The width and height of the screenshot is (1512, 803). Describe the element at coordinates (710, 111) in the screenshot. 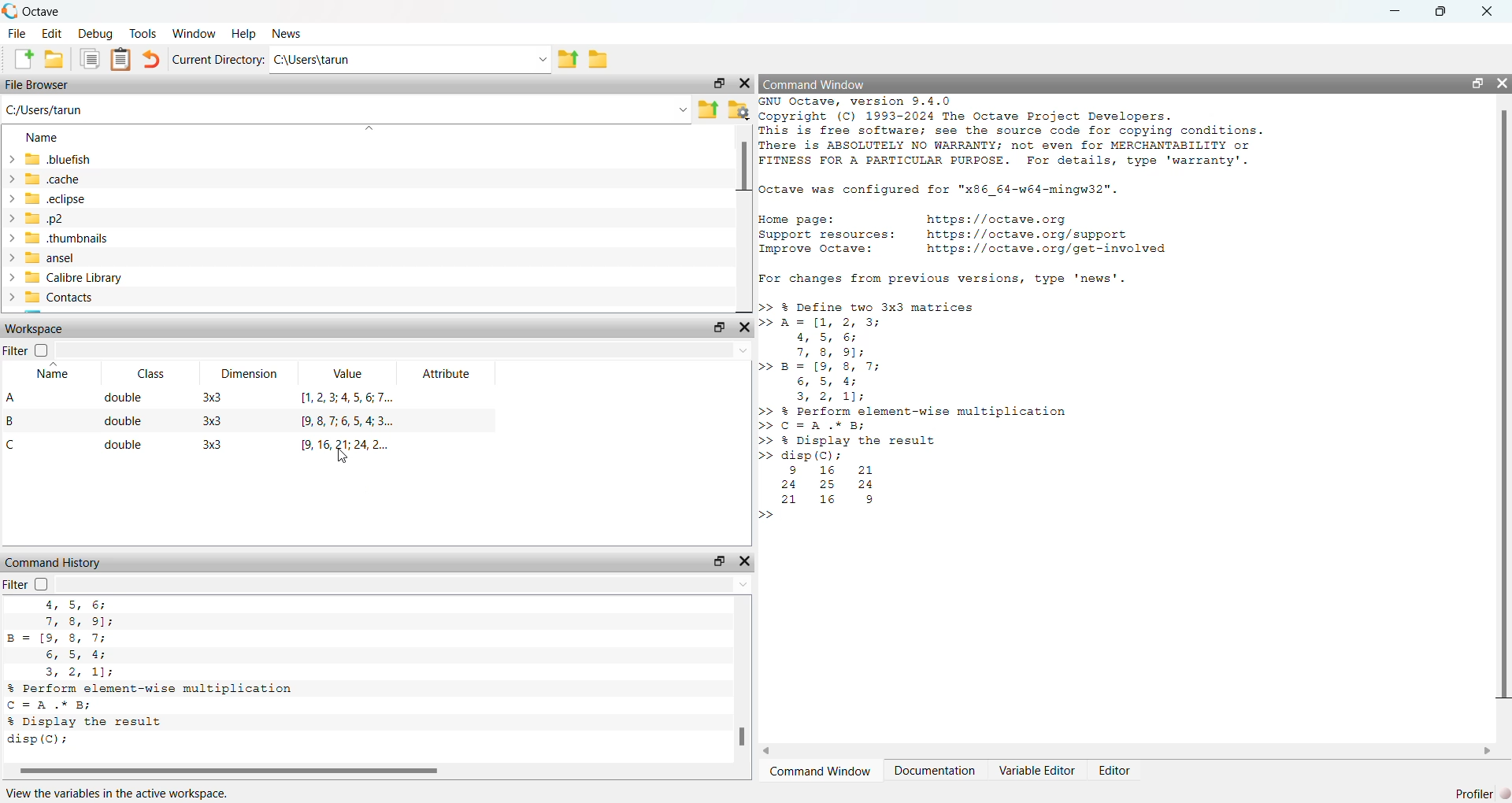

I see `Parent Directory` at that location.